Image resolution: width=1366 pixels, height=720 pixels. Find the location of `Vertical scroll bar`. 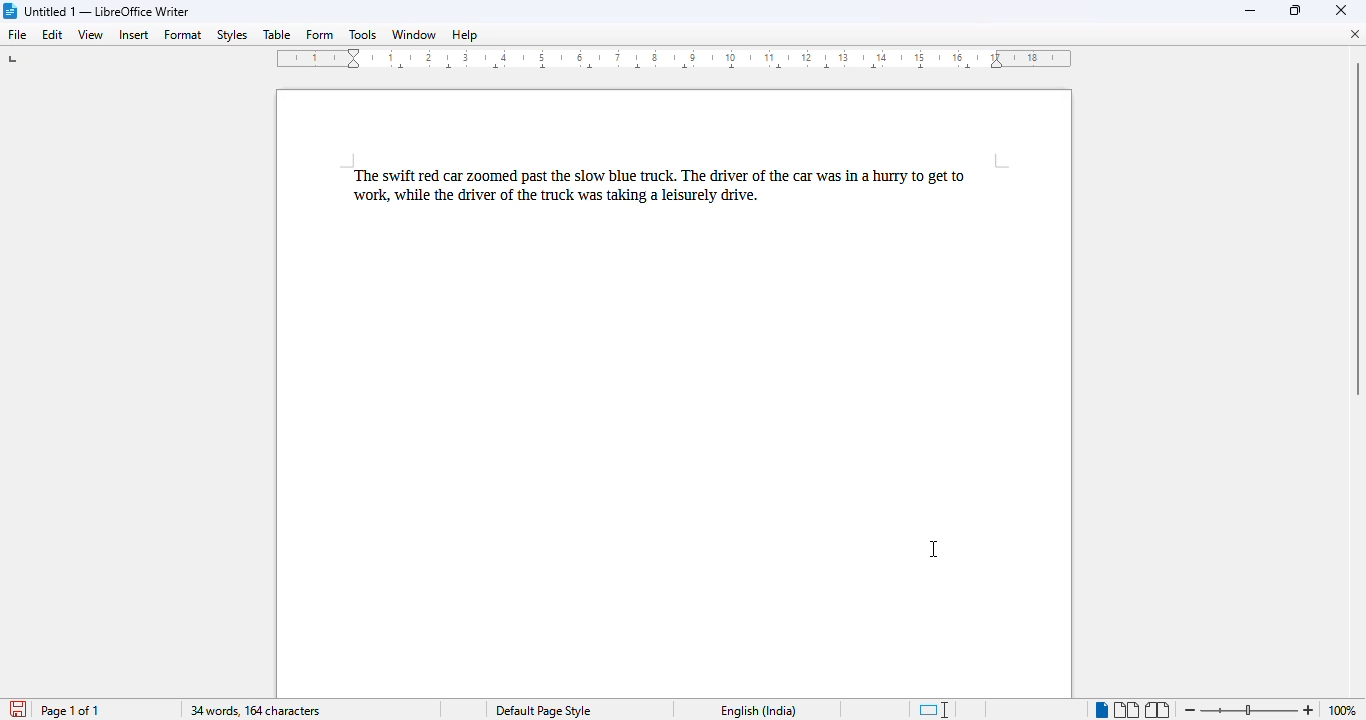

Vertical scroll bar is located at coordinates (1357, 227).